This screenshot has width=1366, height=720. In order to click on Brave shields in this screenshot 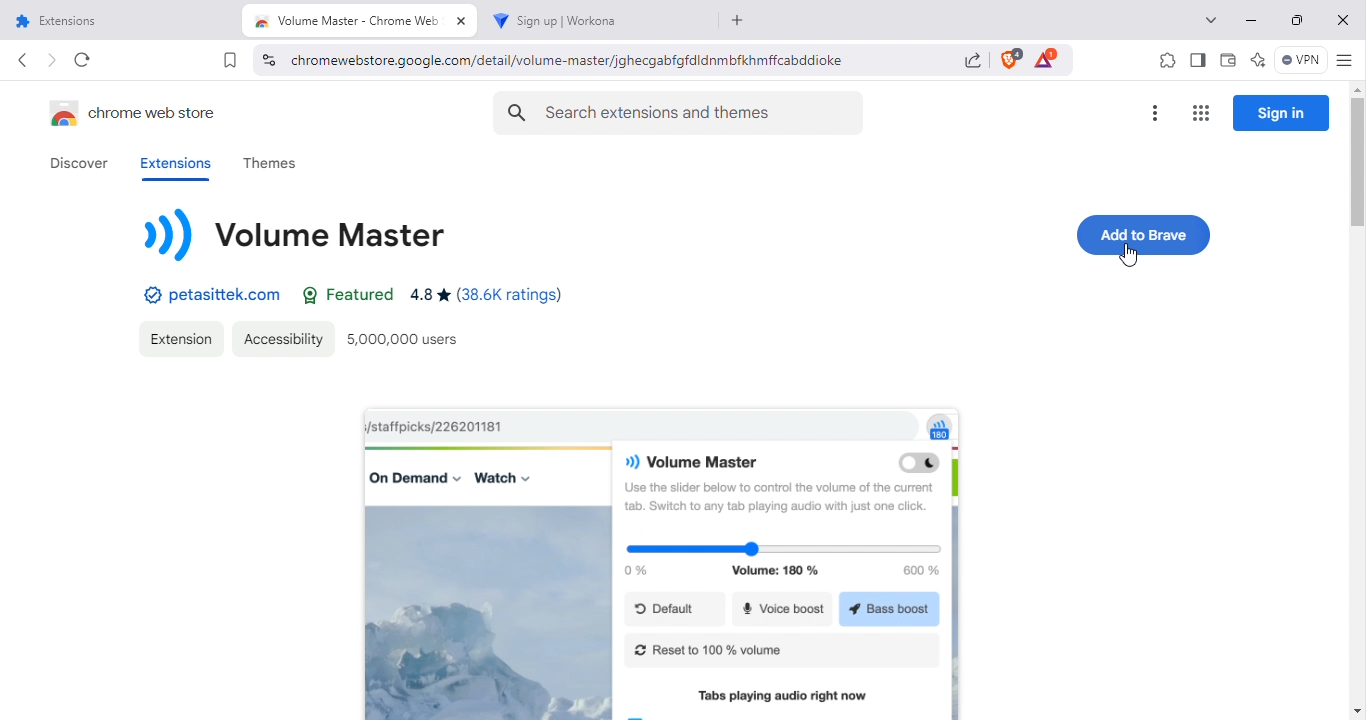, I will do `click(1008, 57)`.